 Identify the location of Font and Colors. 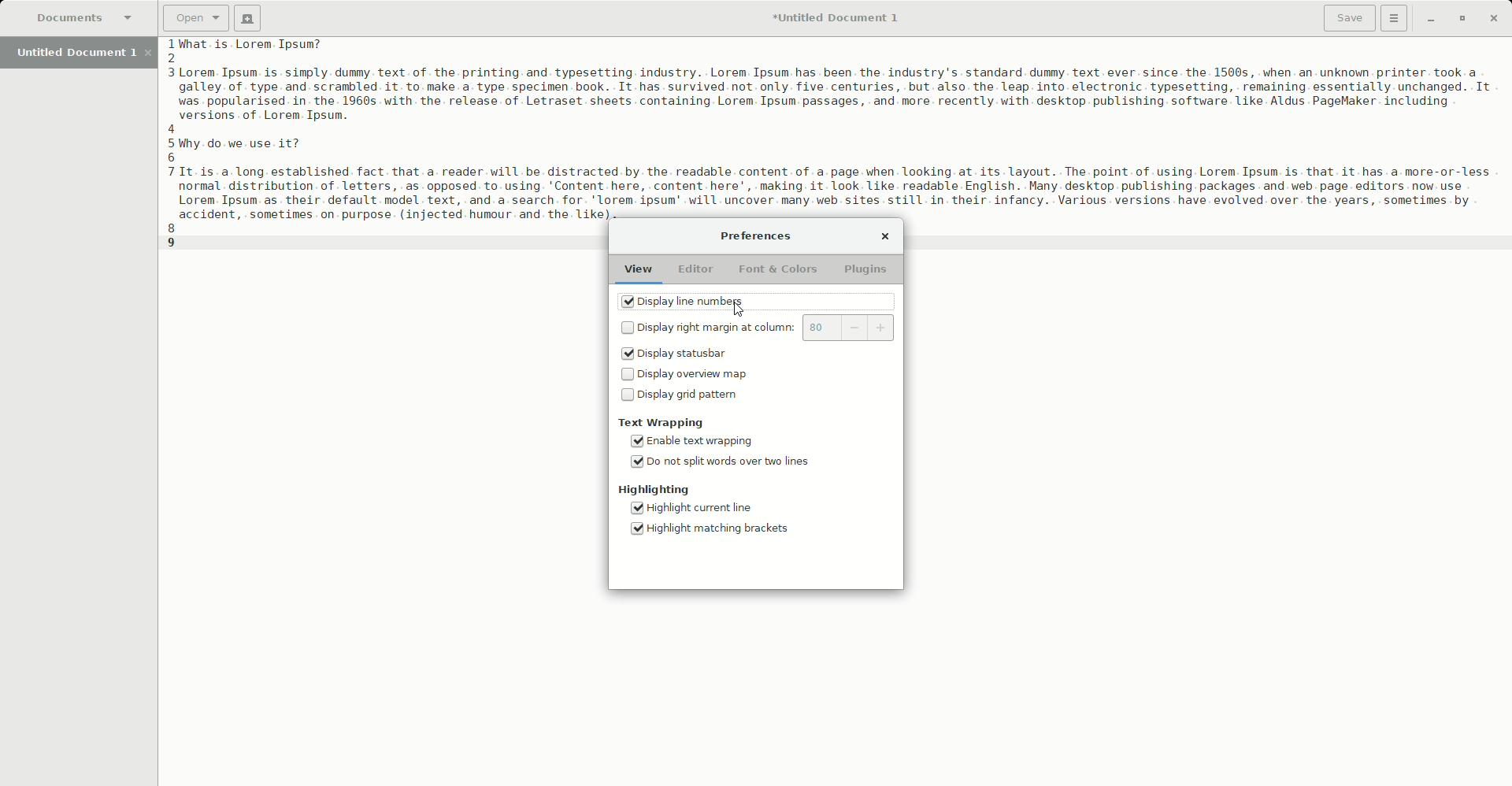
(778, 270).